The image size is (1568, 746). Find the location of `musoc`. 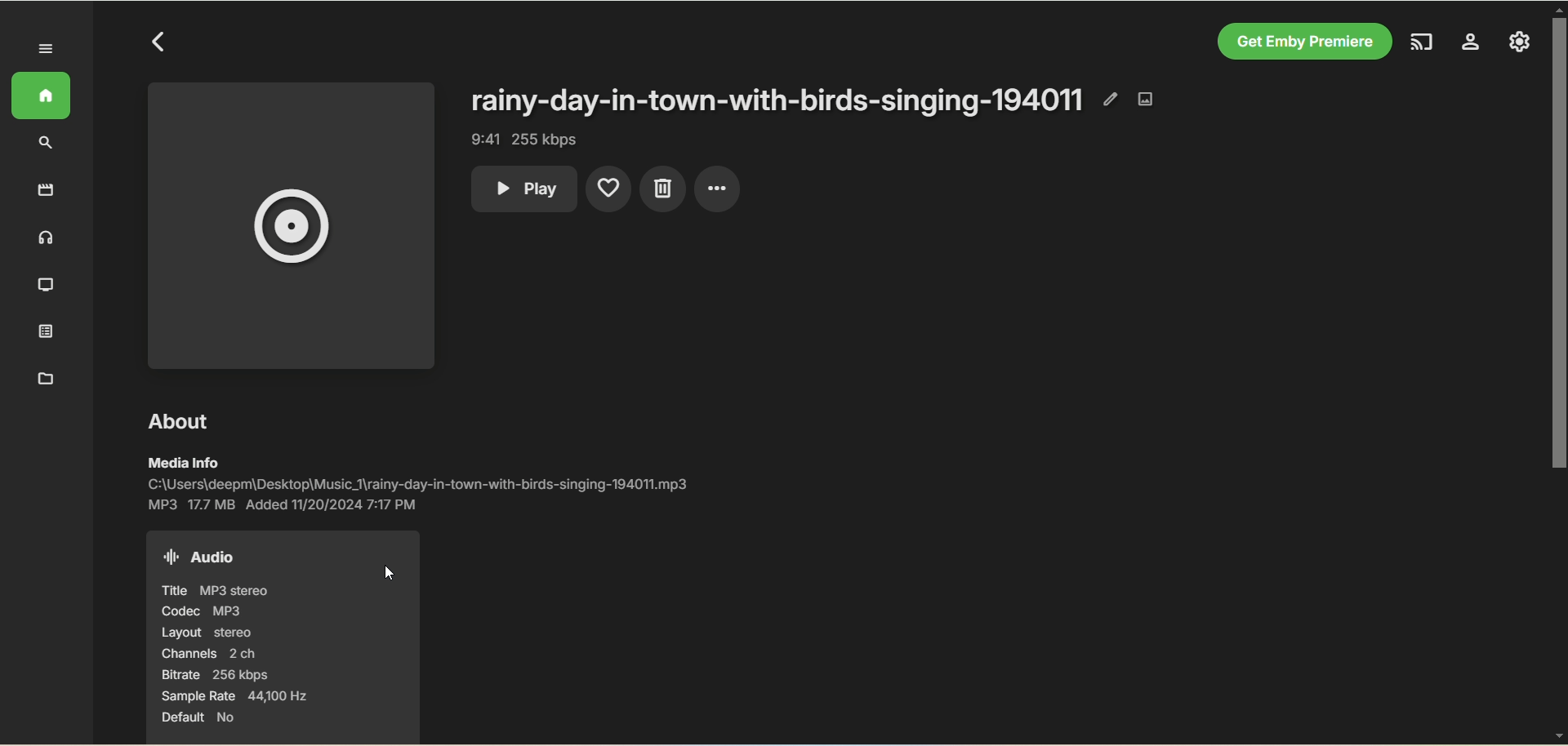

musoc is located at coordinates (46, 238).